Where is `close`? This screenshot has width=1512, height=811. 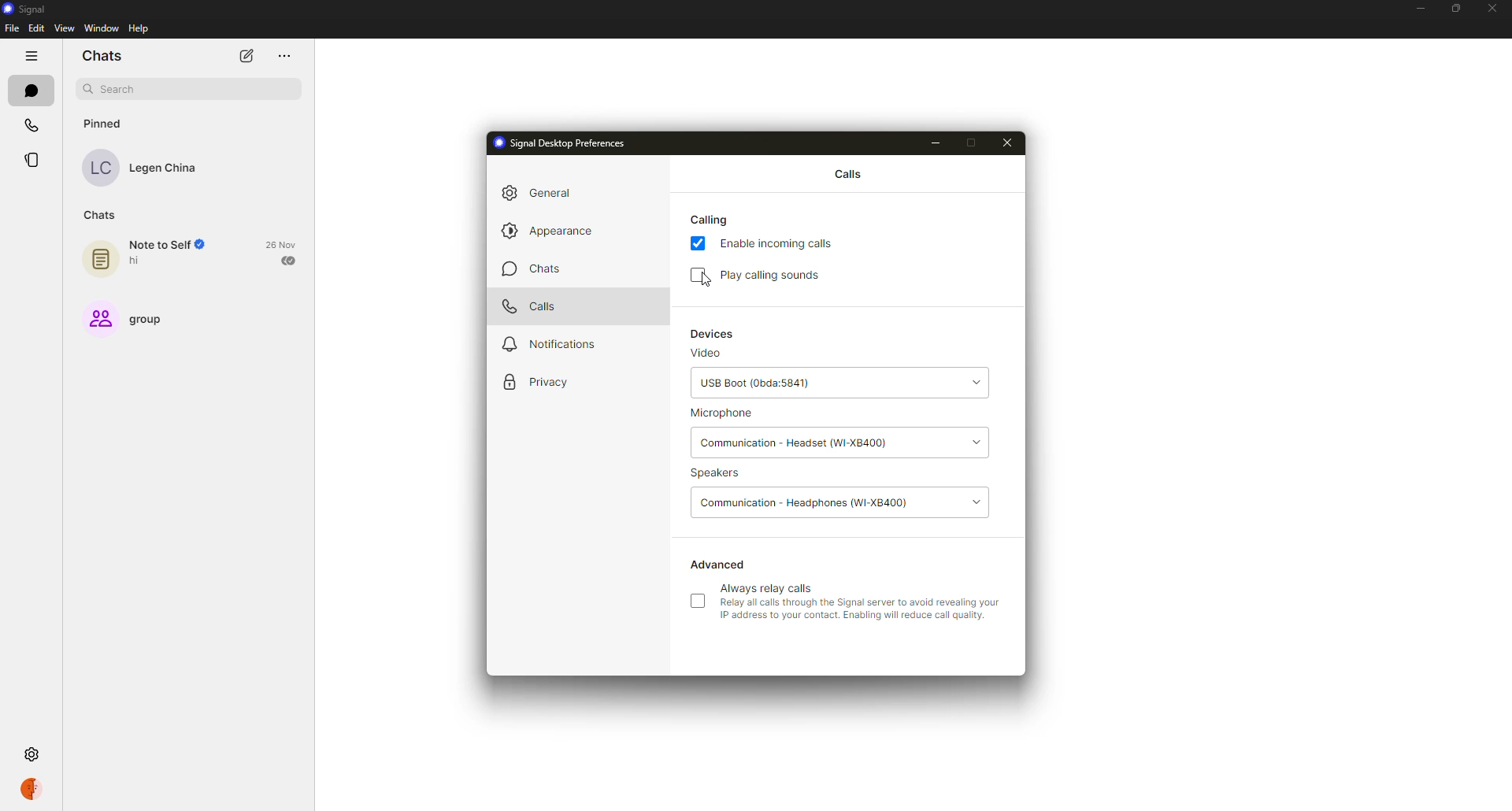
close is located at coordinates (1010, 143).